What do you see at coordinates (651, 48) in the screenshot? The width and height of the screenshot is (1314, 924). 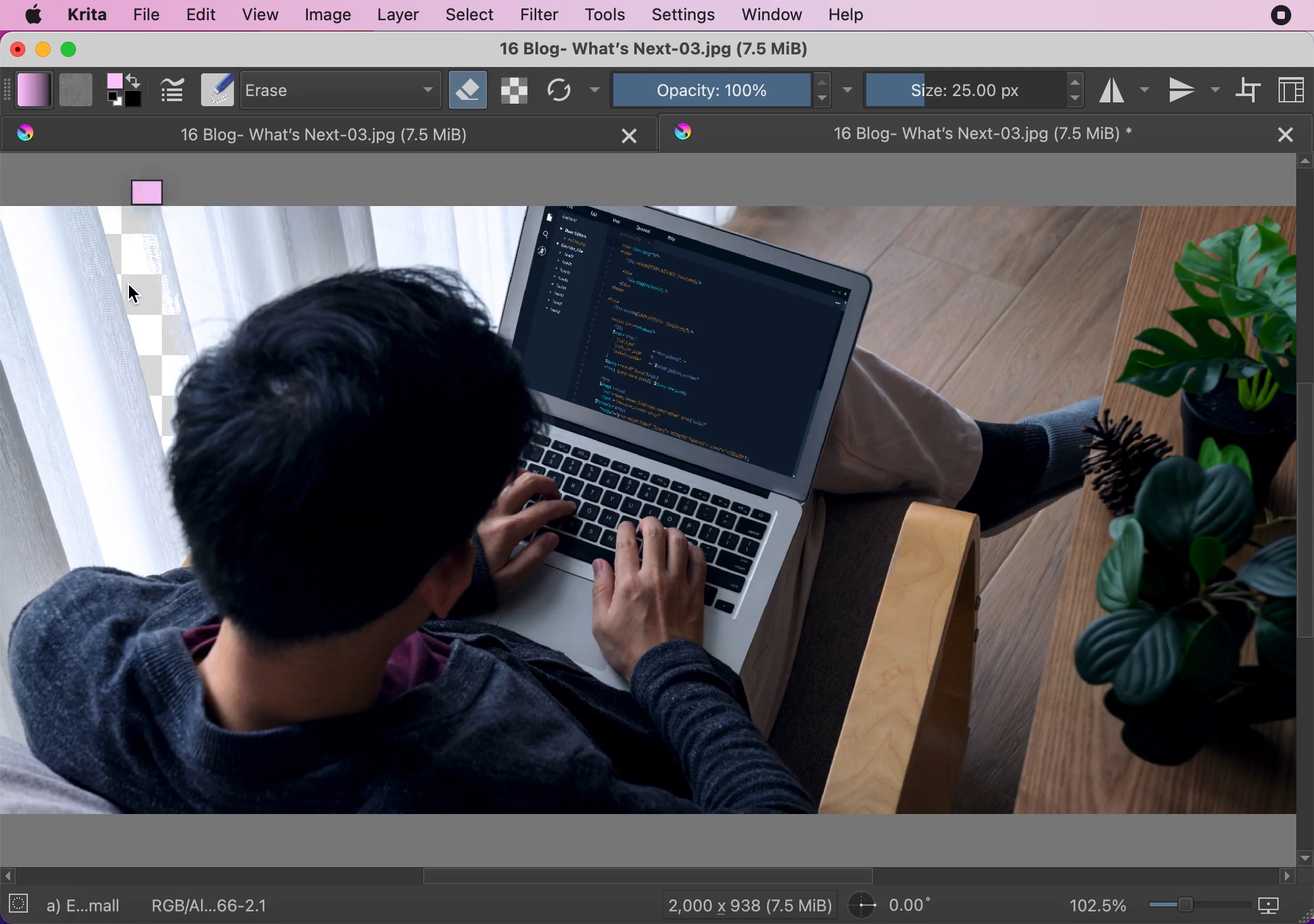 I see `16 Blog- What's Next-03.jpg (7.5 MiB)` at bounding box center [651, 48].